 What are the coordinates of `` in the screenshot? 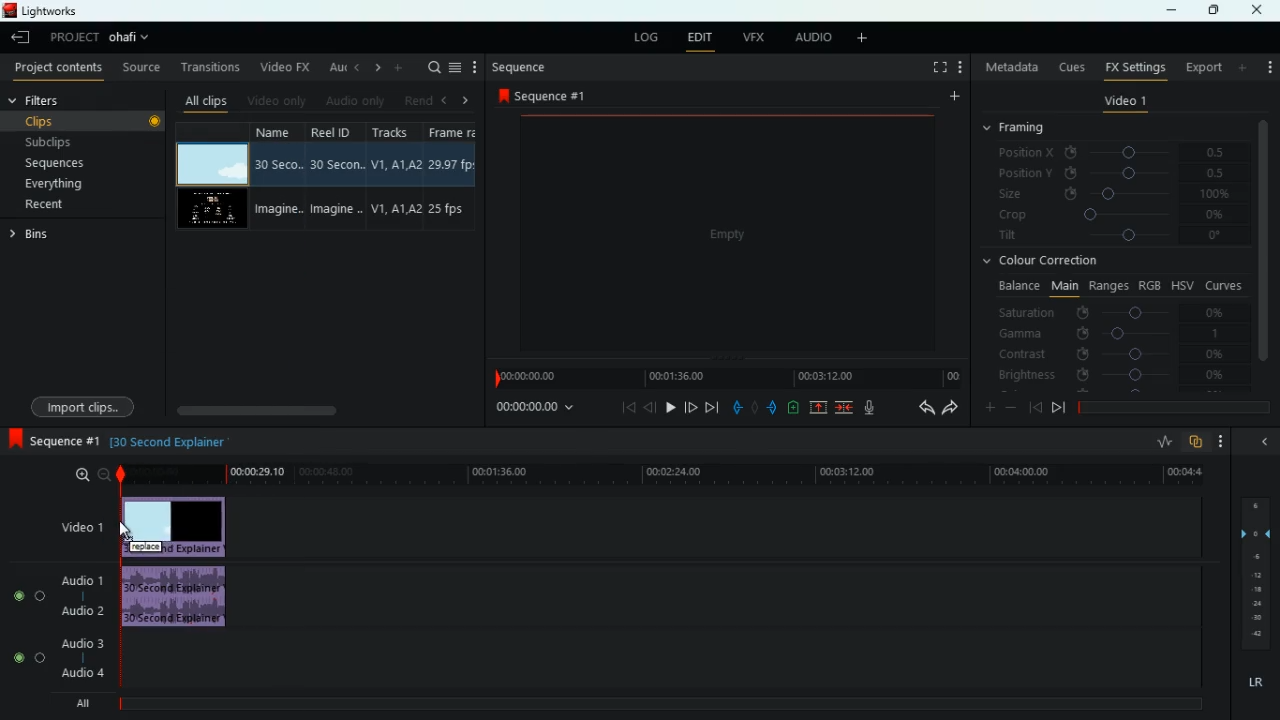 It's located at (1115, 237).